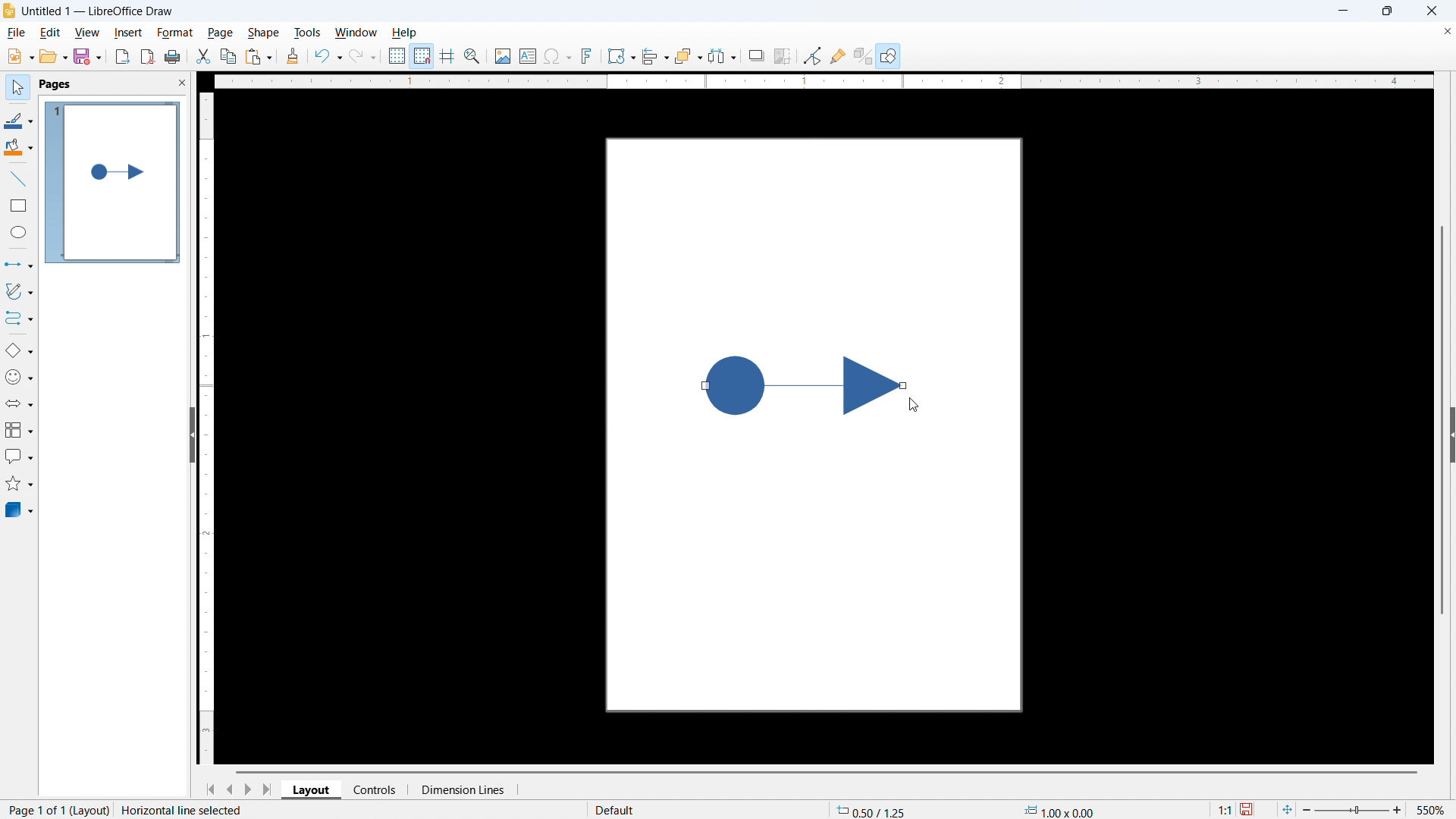 Image resolution: width=1456 pixels, height=819 pixels. Describe the element at coordinates (913, 406) in the screenshot. I see `cursor` at that location.